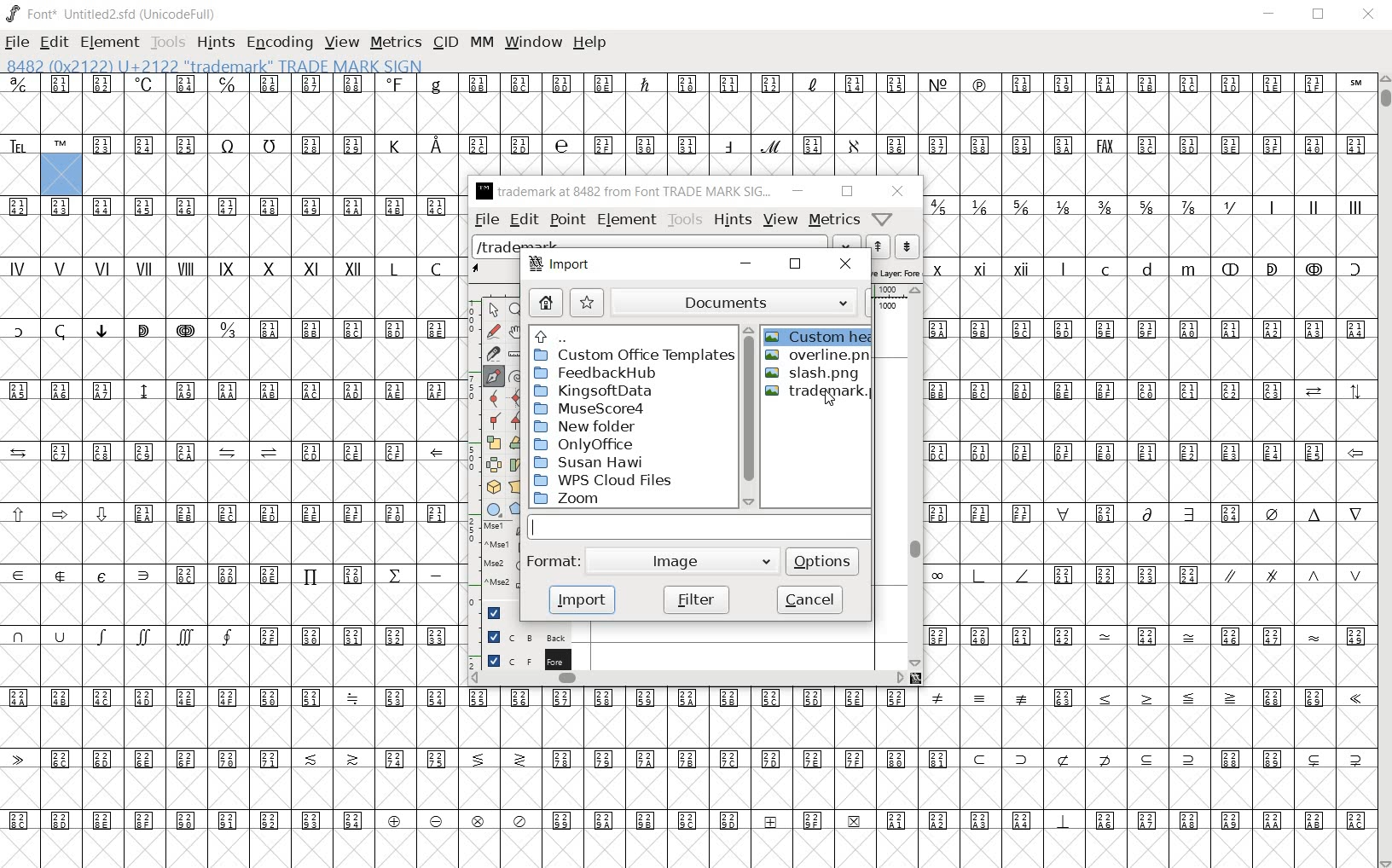 The image size is (1392, 868). What do you see at coordinates (481, 44) in the screenshot?
I see `MM` at bounding box center [481, 44].